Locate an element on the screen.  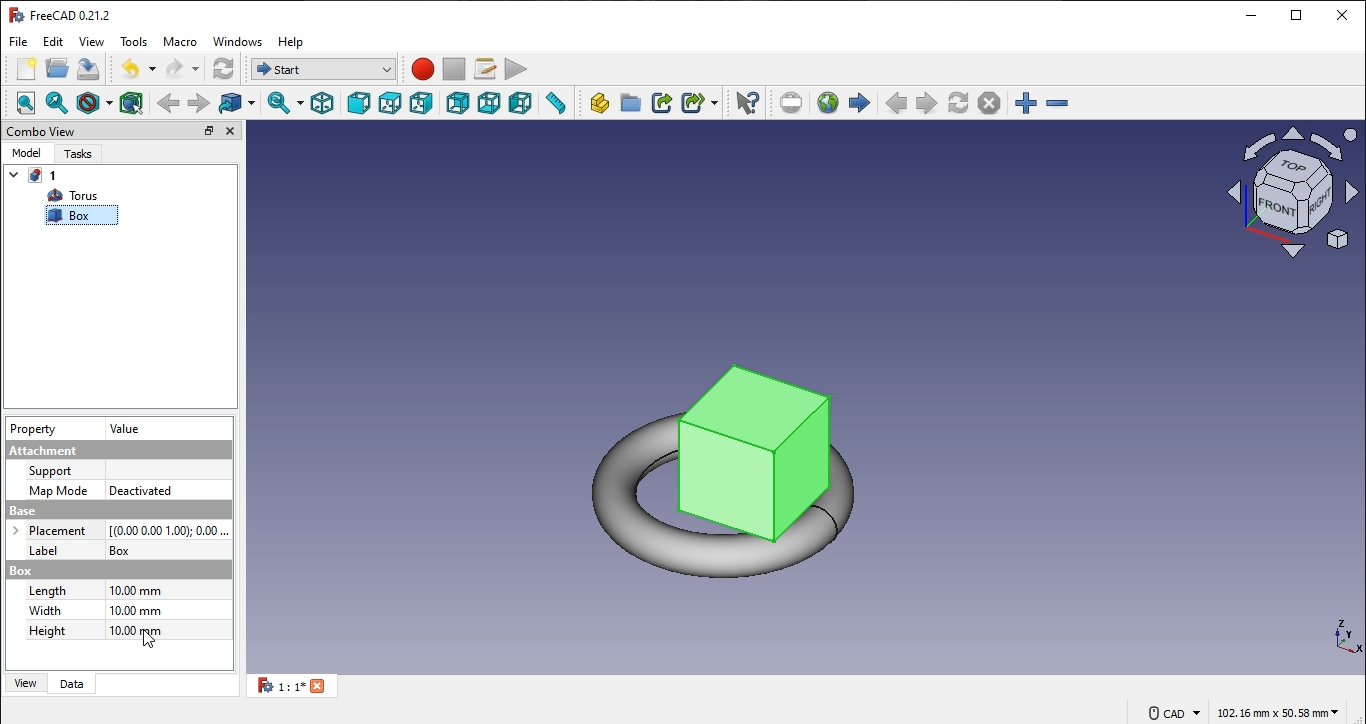
macro is located at coordinates (181, 44).